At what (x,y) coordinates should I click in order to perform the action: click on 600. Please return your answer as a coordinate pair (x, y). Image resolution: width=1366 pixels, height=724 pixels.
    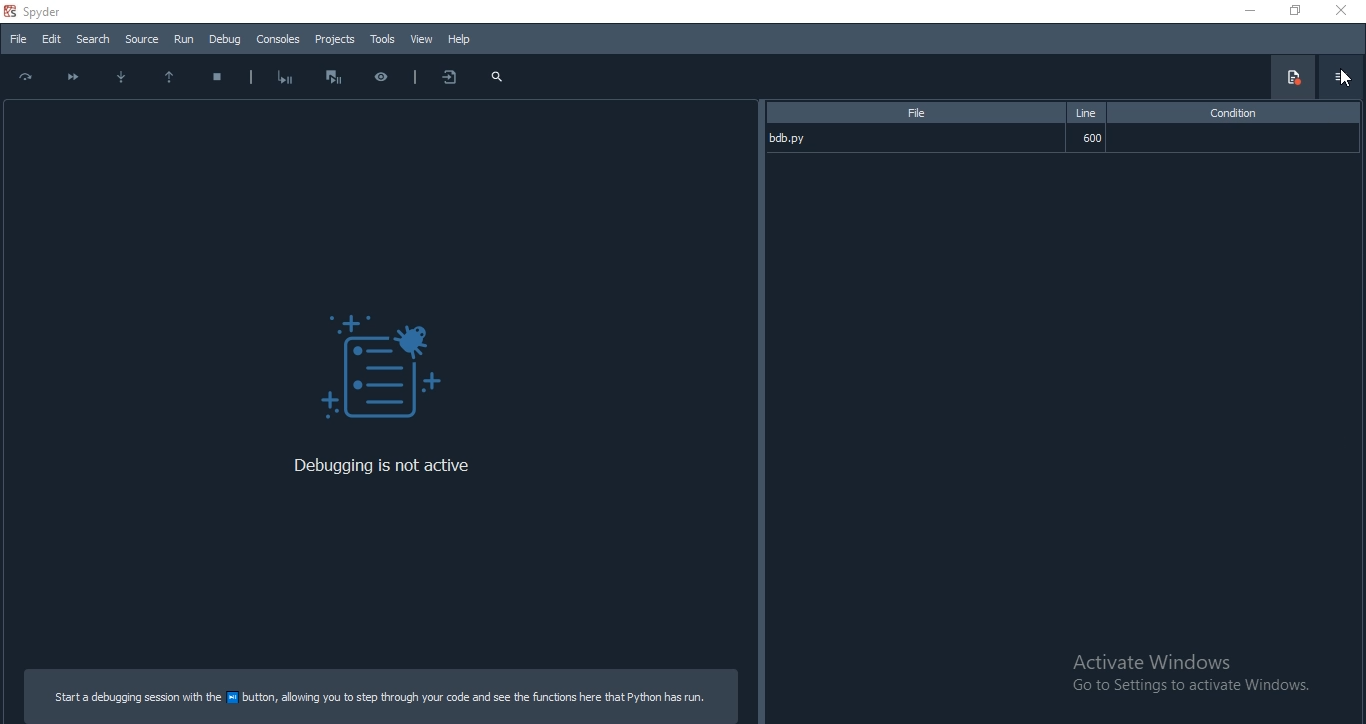
    Looking at the image, I should click on (1090, 139).